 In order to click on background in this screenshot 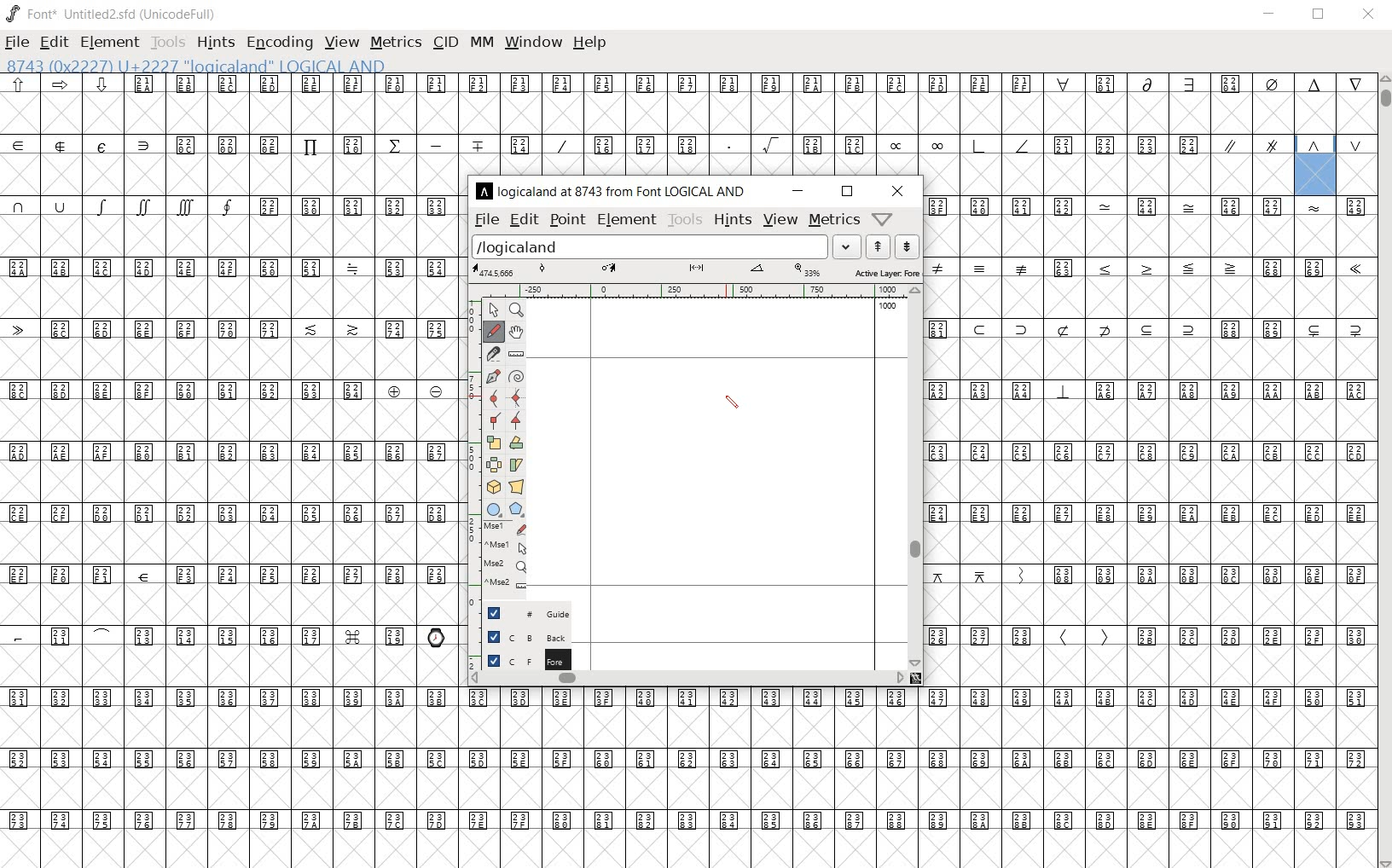, I will do `click(519, 638)`.